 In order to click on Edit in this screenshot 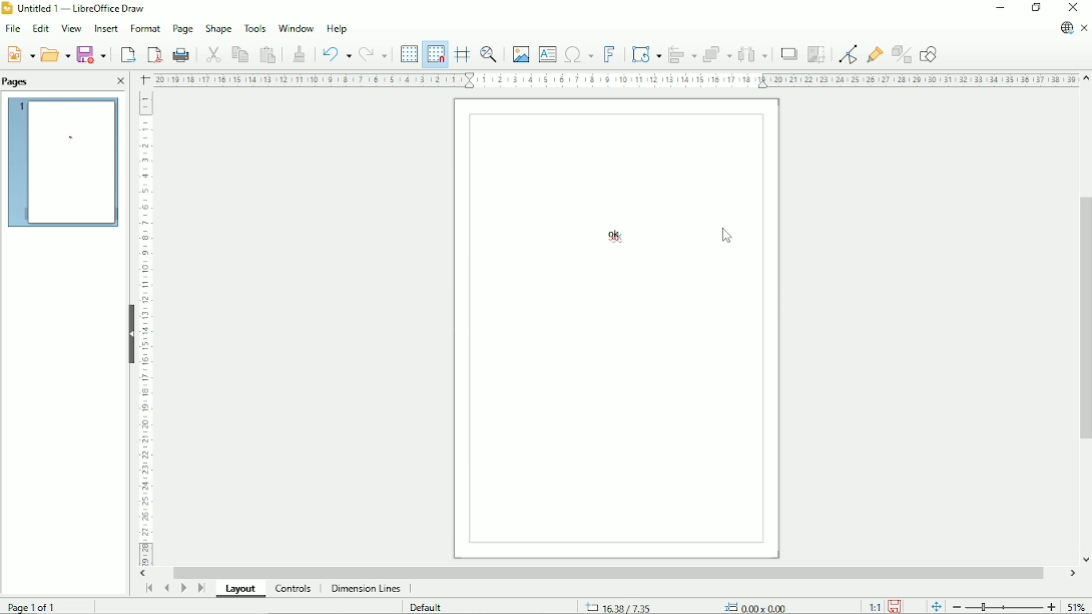, I will do `click(40, 28)`.